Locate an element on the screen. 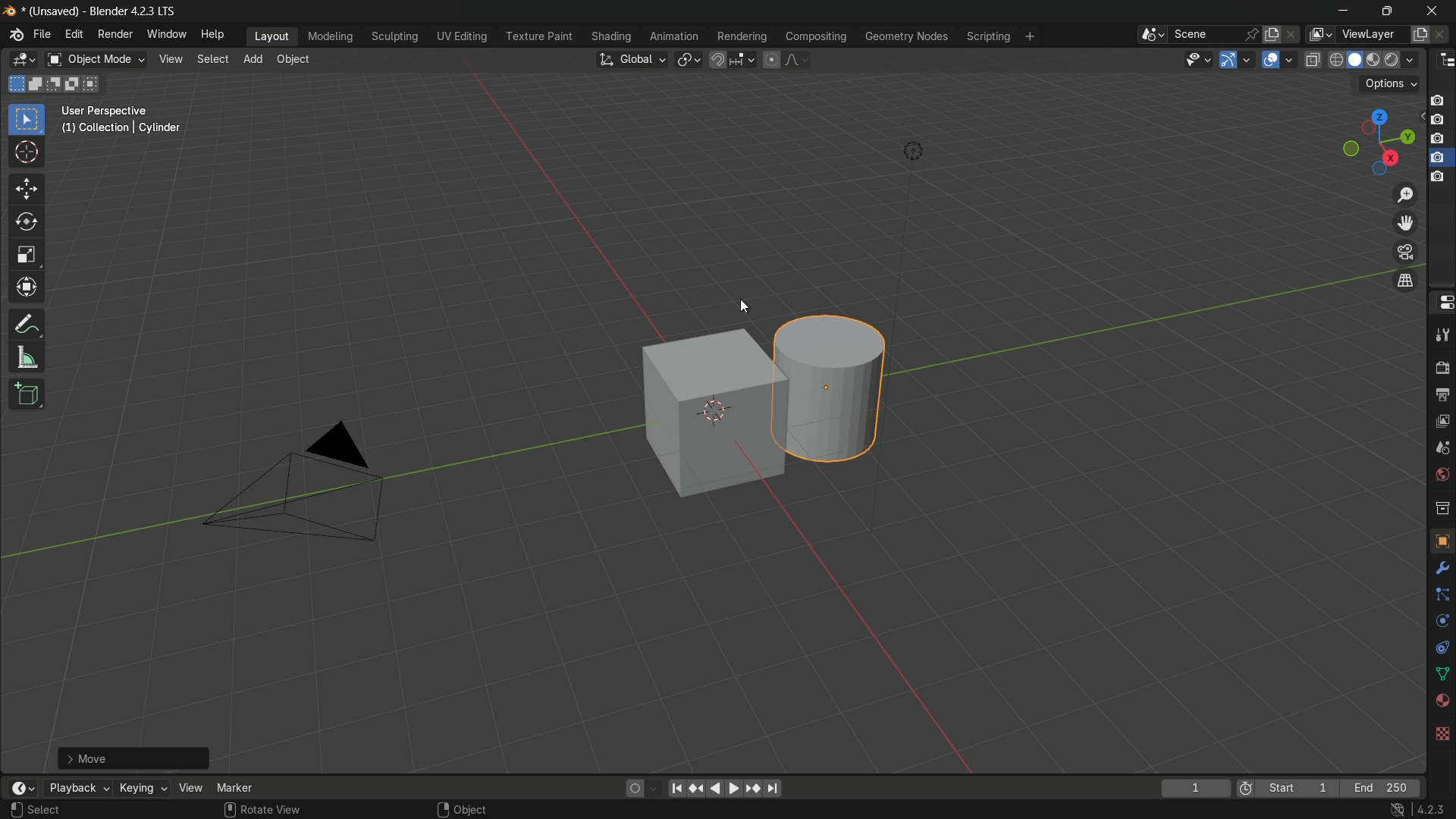  delete scene is located at coordinates (1291, 35).